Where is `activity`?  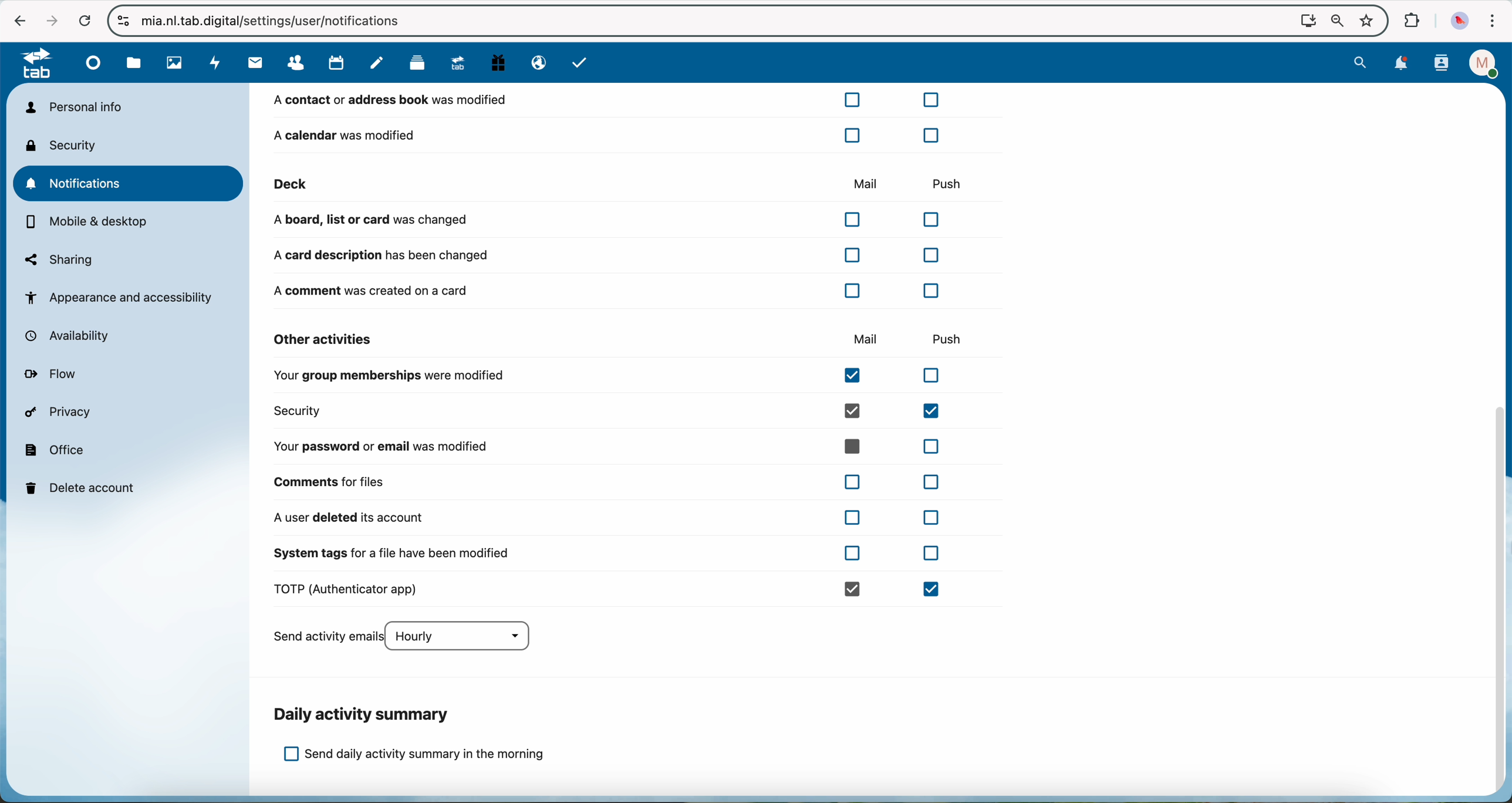
activity is located at coordinates (214, 63).